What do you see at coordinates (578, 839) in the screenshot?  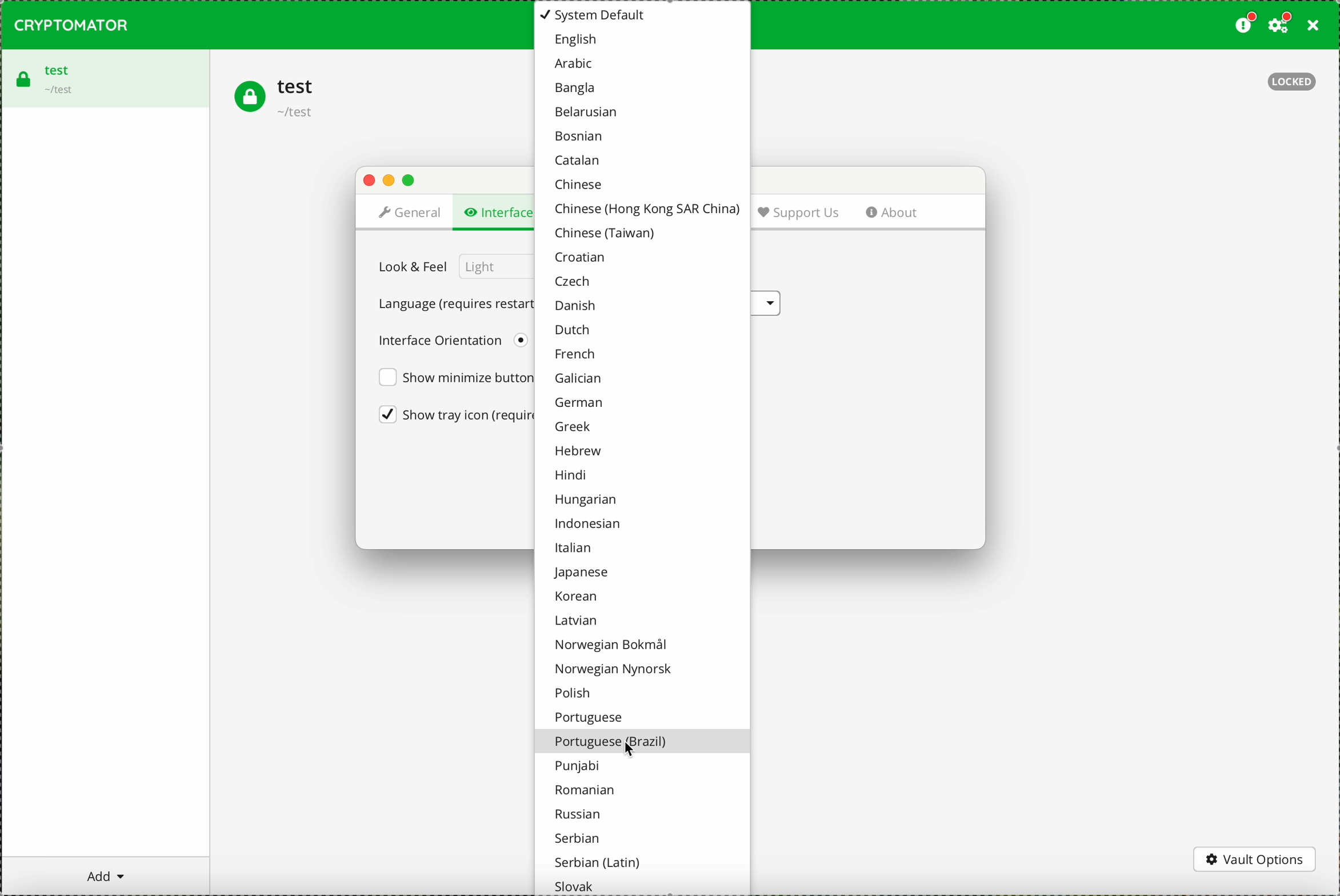 I see `serbian` at bounding box center [578, 839].